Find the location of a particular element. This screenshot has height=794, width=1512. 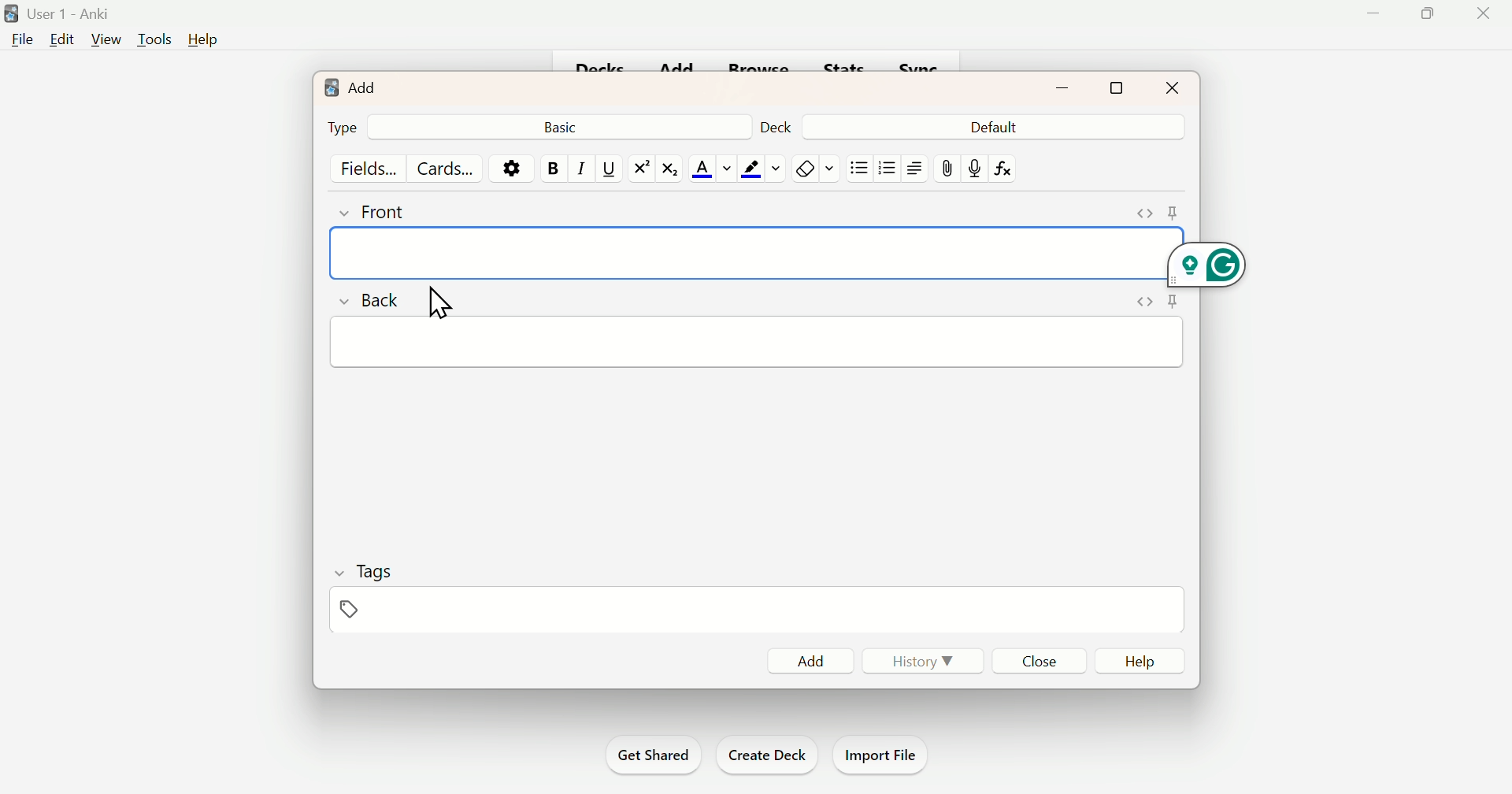

Rubber is located at coordinates (816, 167).